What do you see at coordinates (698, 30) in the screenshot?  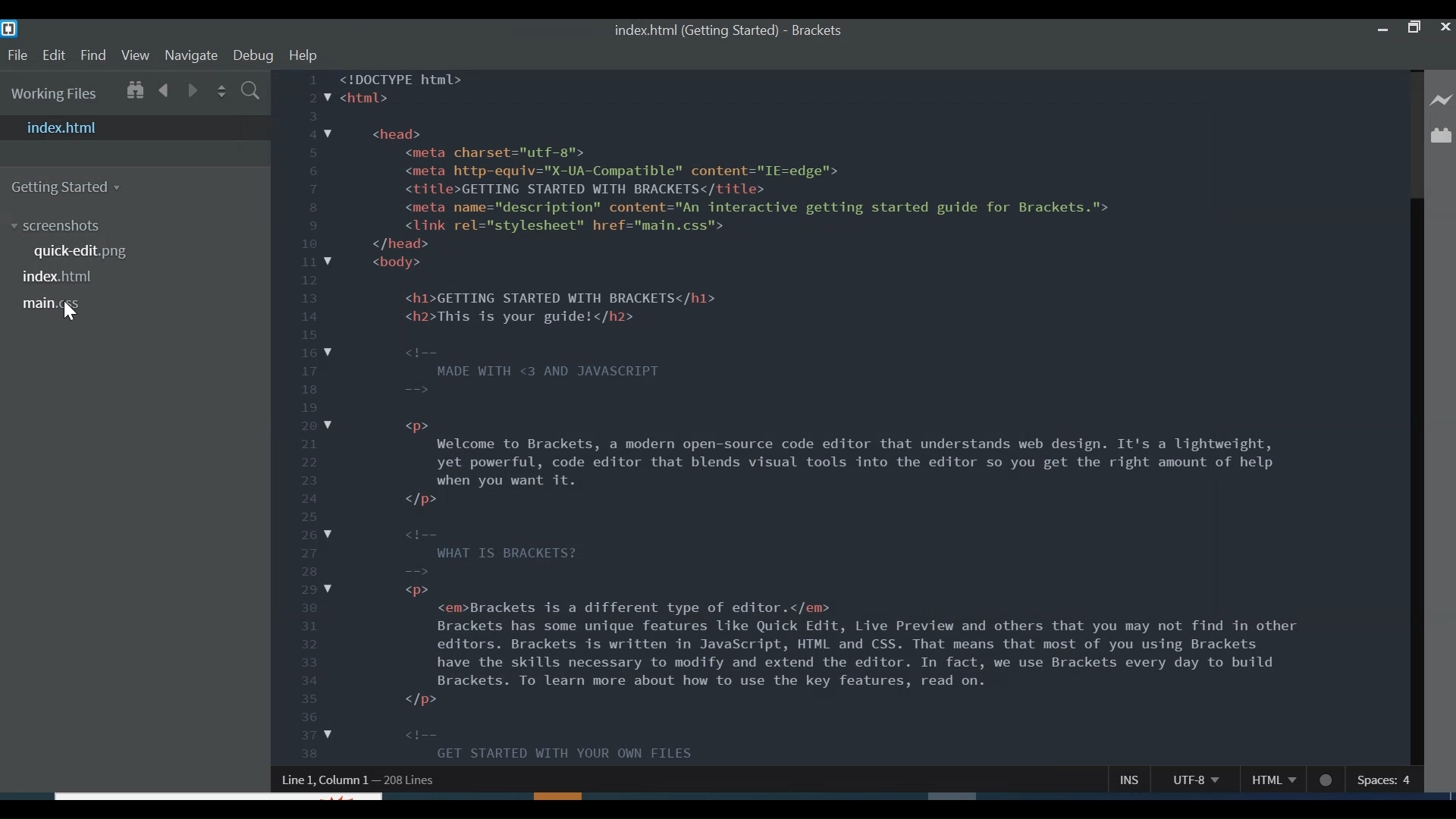 I see `index.html File name` at bounding box center [698, 30].